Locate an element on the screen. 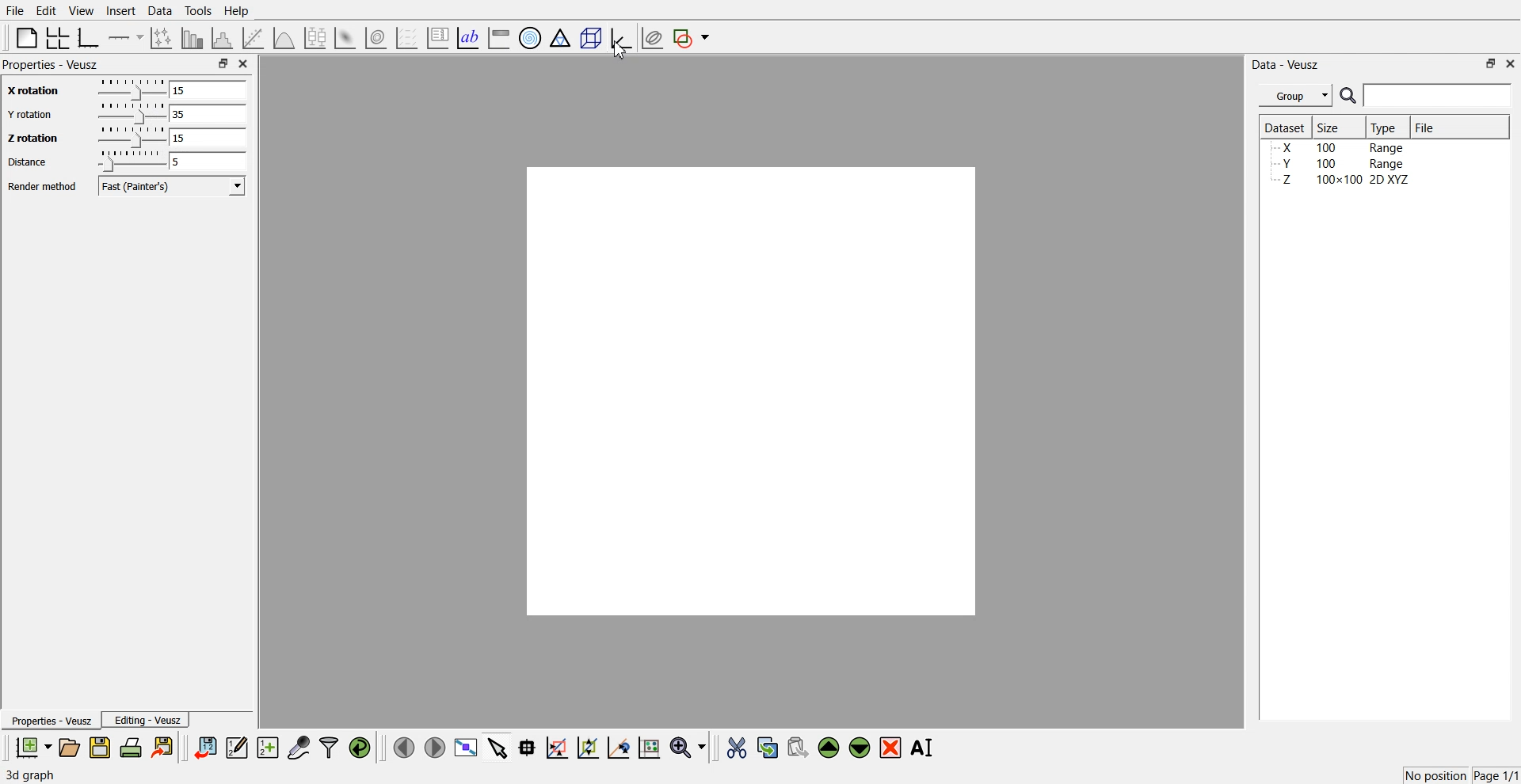 This screenshot has width=1521, height=784. Copy the selected widget is located at coordinates (768, 747).